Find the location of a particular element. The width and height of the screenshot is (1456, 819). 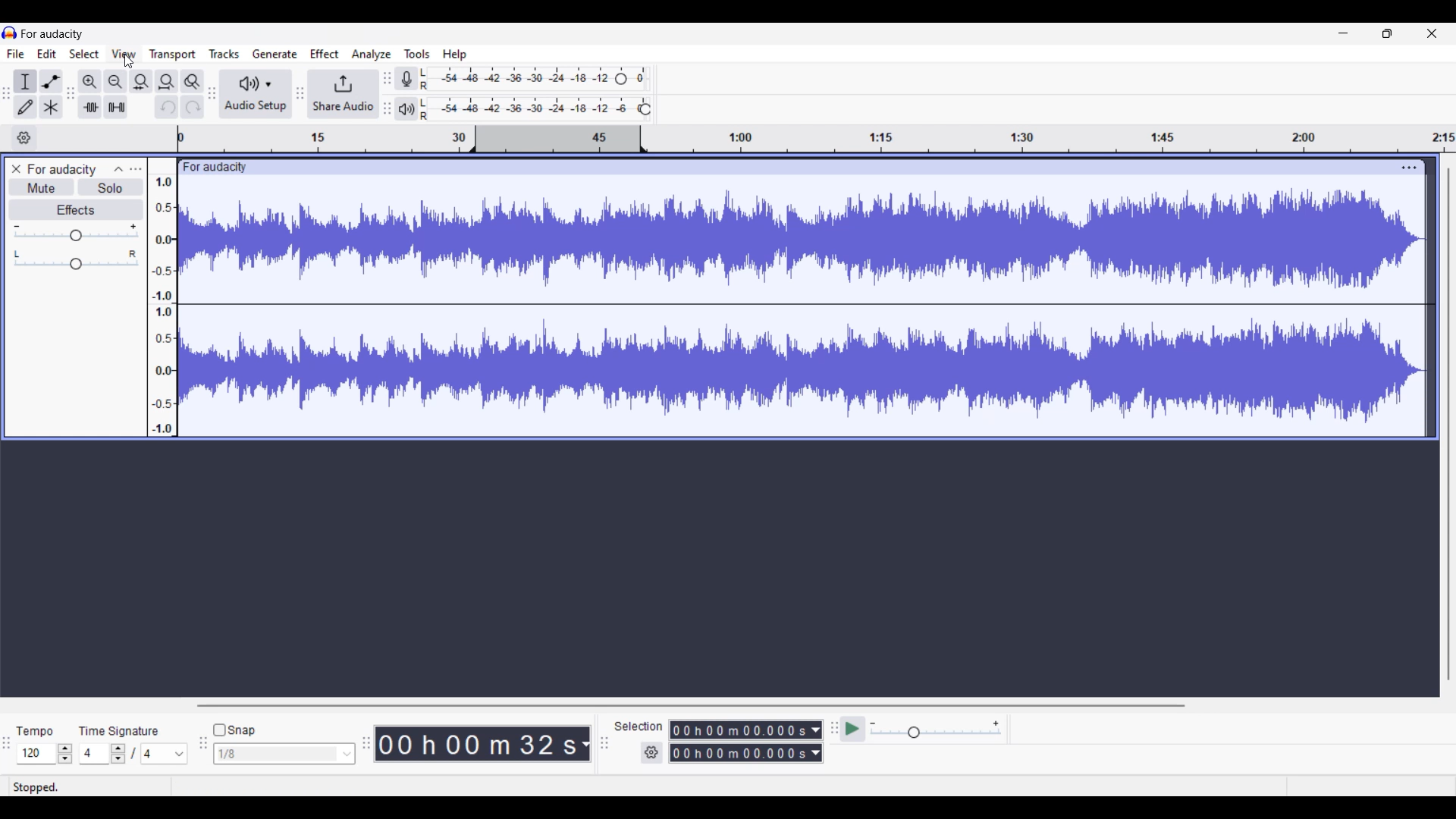

Current track waveform is located at coordinates (789, 306).